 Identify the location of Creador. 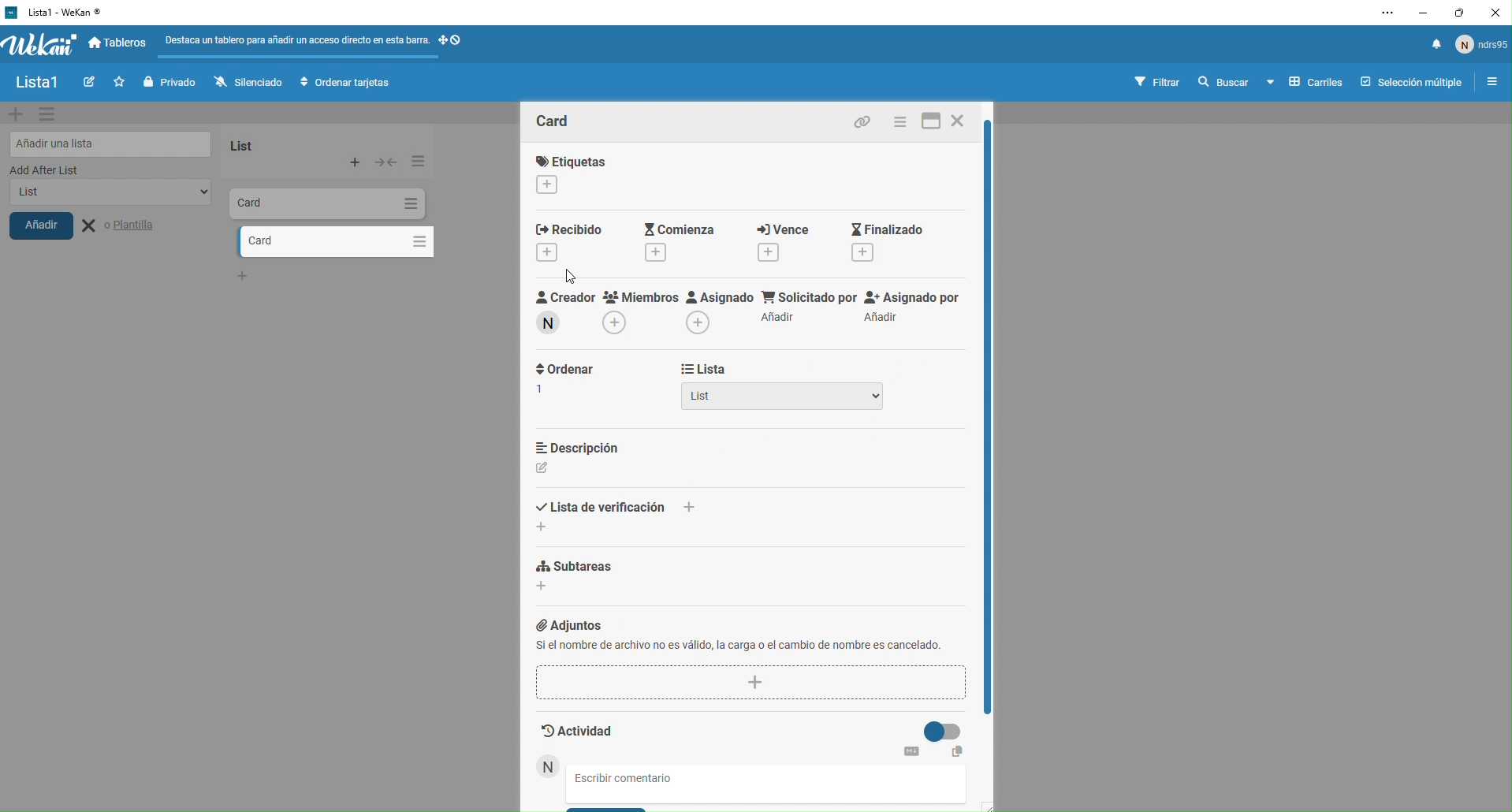
(561, 315).